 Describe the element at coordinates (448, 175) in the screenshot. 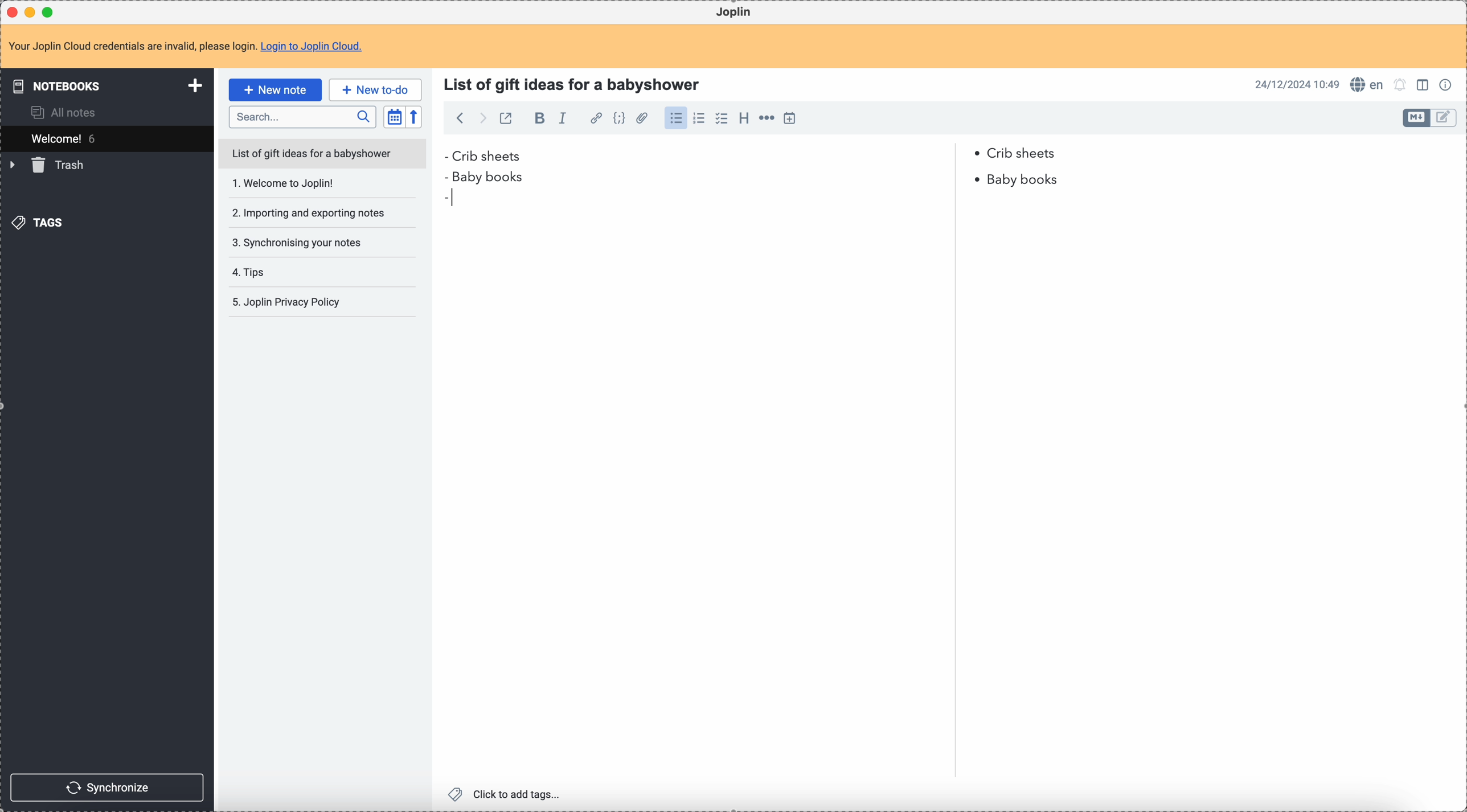

I see `bullet point` at that location.